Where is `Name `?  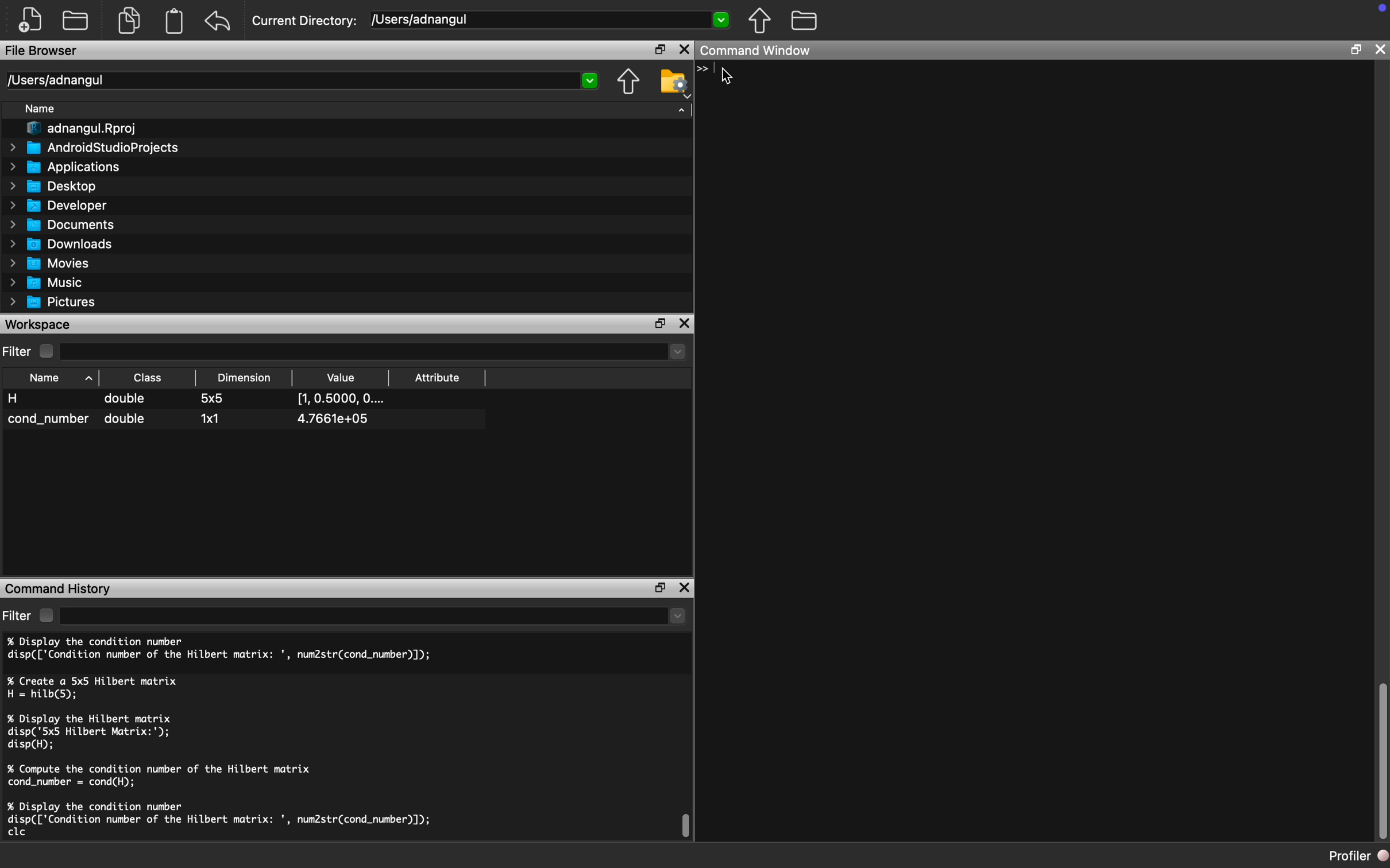 Name  is located at coordinates (60, 378).